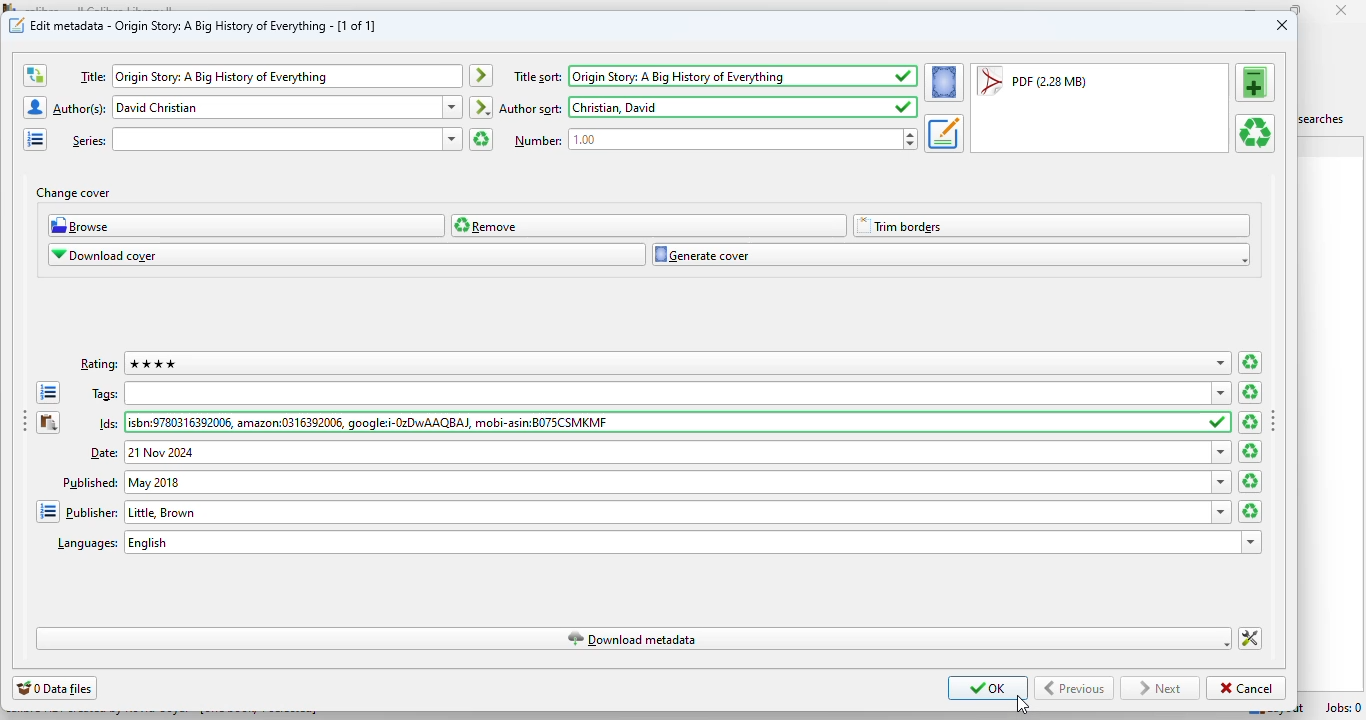 The height and width of the screenshot is (720, 1366). Describe the element at coordinates (80, 110) in the screenshot. I see `text` at that location.